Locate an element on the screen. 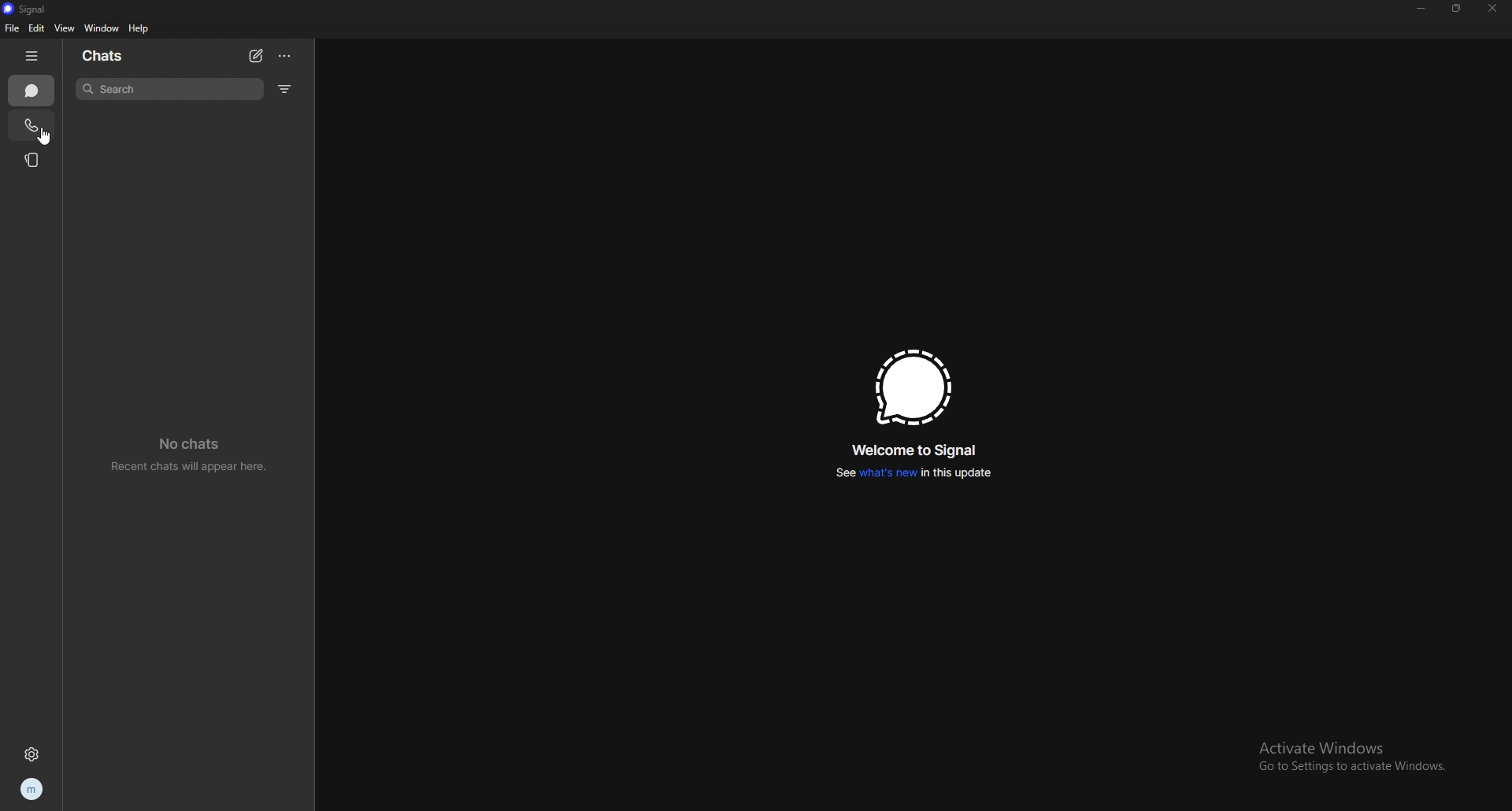 This screenshot has width=1512, height=811. hide tab is located at coordinates (33, 56).